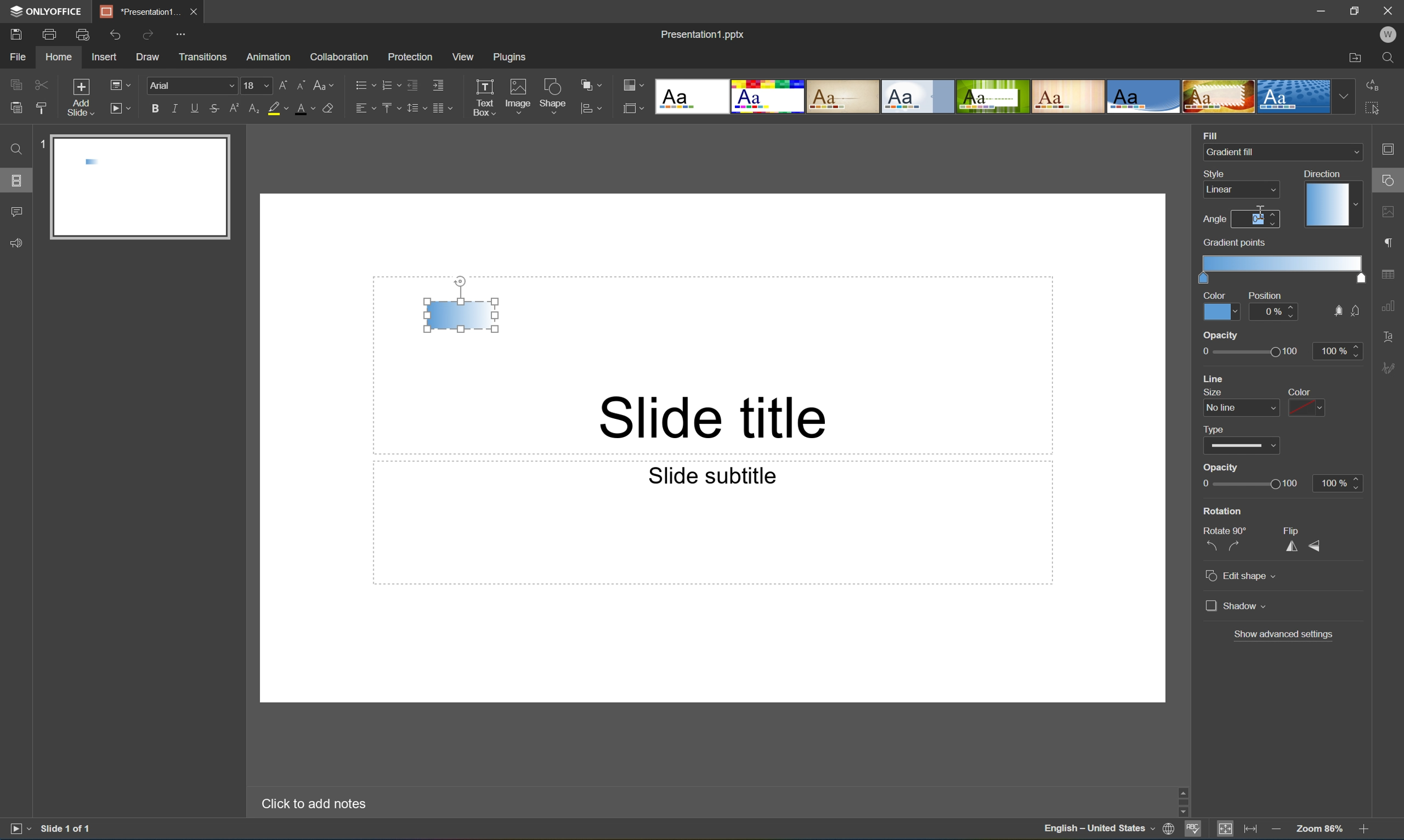  Describe the element at coordinates (1316, 547) in the screenshot. I see `Flip vertically` at that location.